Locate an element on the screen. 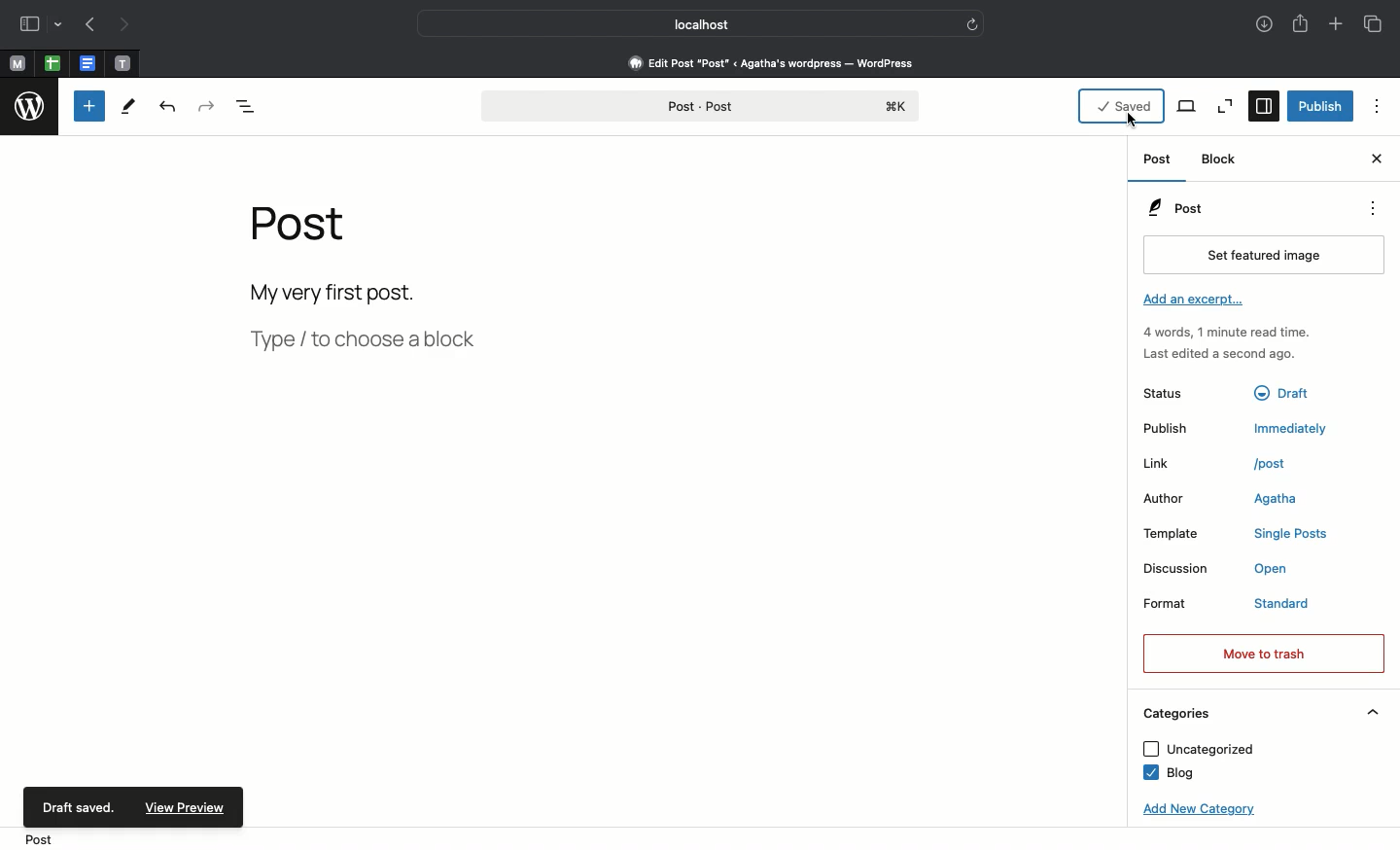 This screenshot has height=850, width=1400. Maximize is located at coordinates (1223, 106).